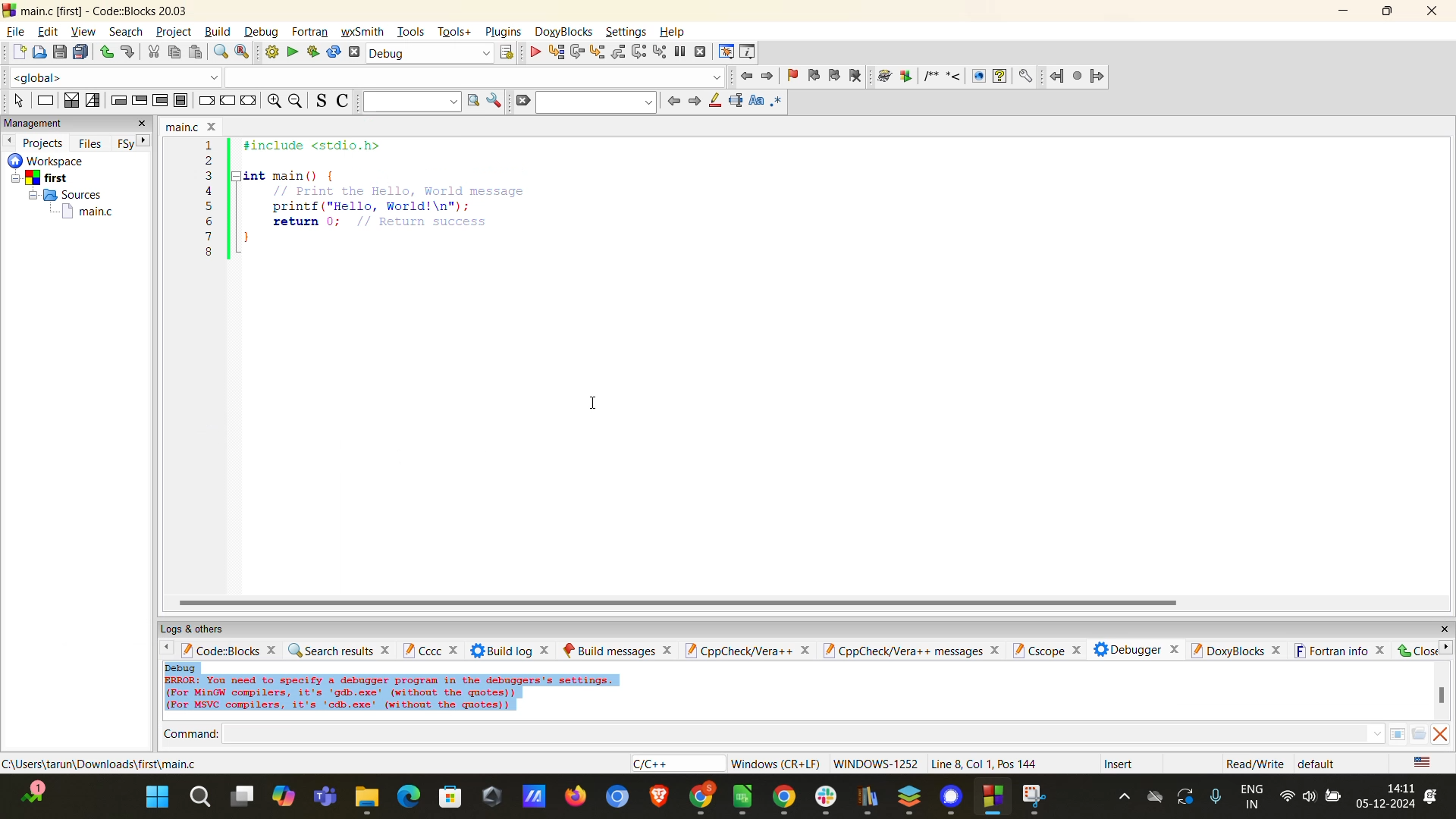 Image resolution: width=1456 pixels, height=819 pixels. I want to click on paste, so click(196, 52).